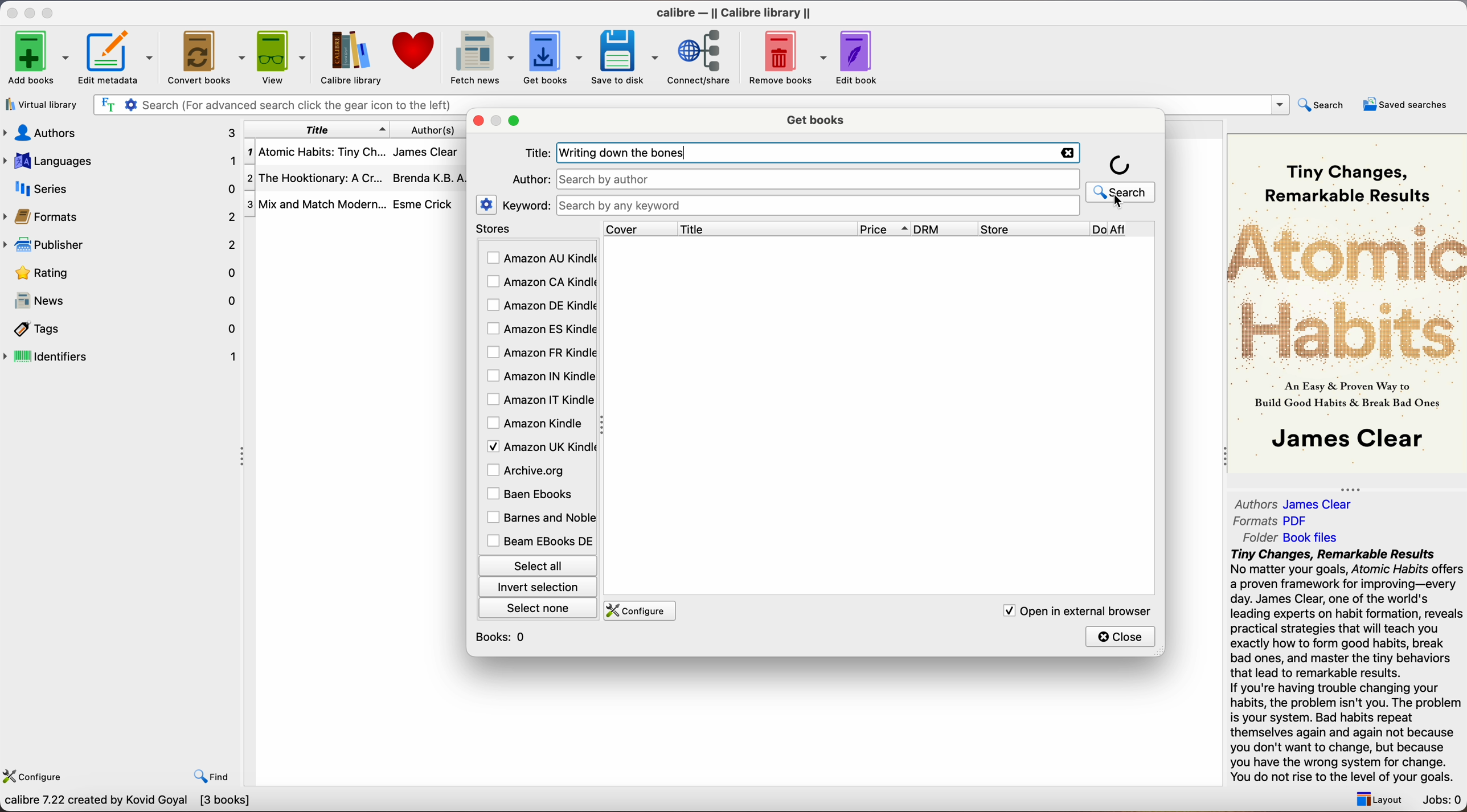 The image size is (1467, 812). What do you see at coordinates (123, 330) in the screenshot?
I see `tags` at bounding box center [123, 330].